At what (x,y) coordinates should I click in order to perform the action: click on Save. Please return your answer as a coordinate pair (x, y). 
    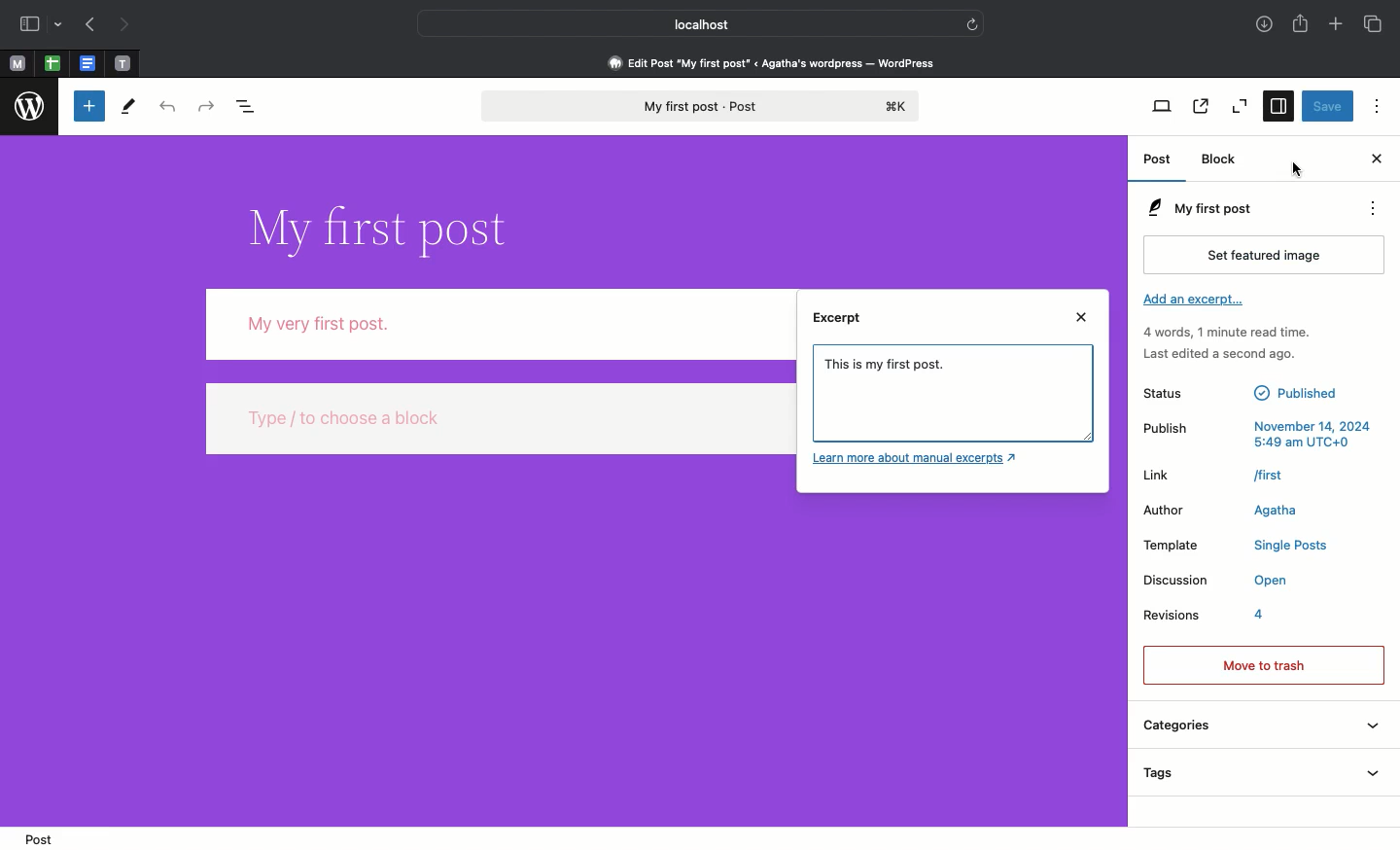
    Looking at the image, I should click on (1327, 107).